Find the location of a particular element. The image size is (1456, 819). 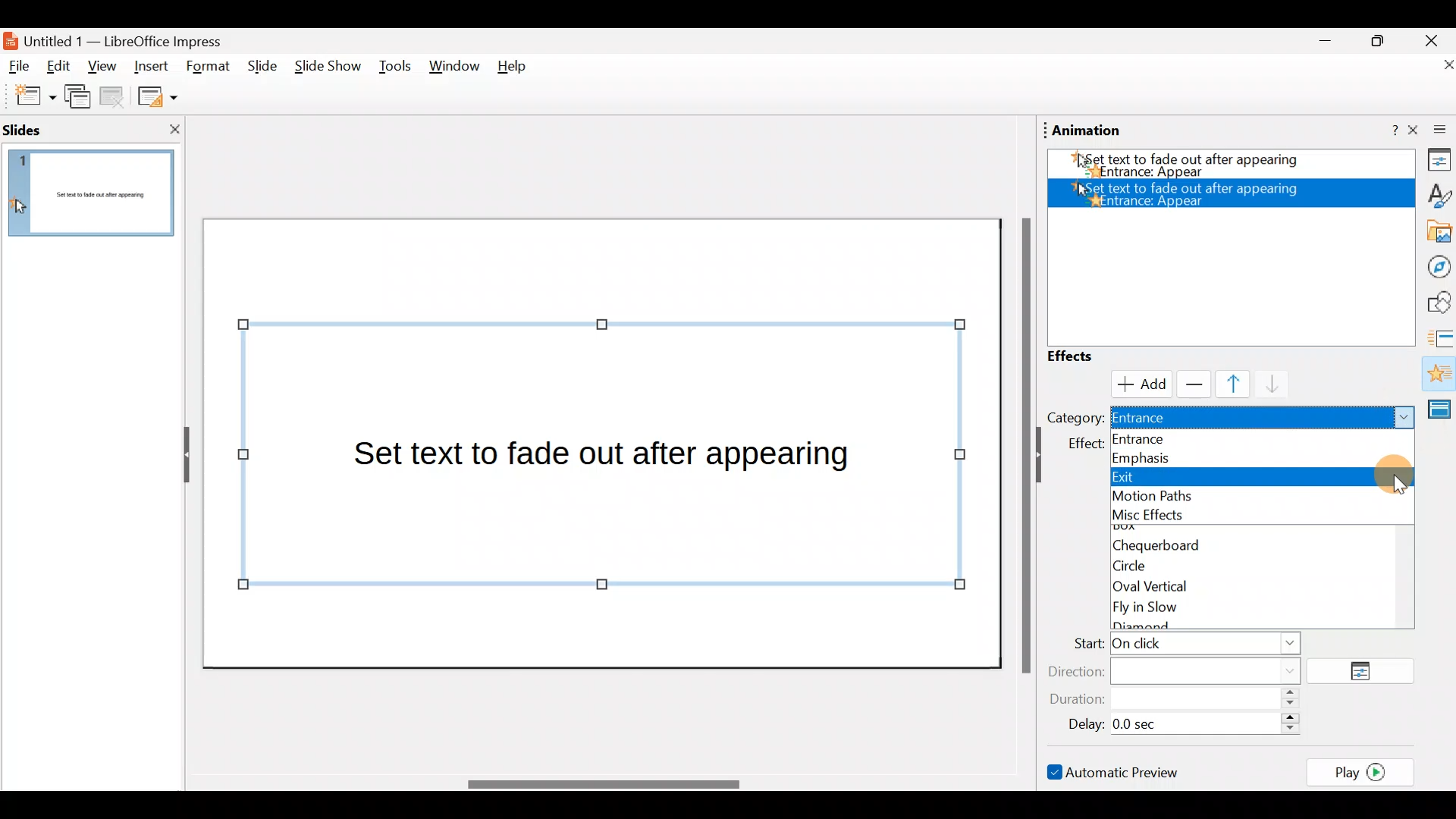

Chequerboard is located at coordinates (1256, 544).